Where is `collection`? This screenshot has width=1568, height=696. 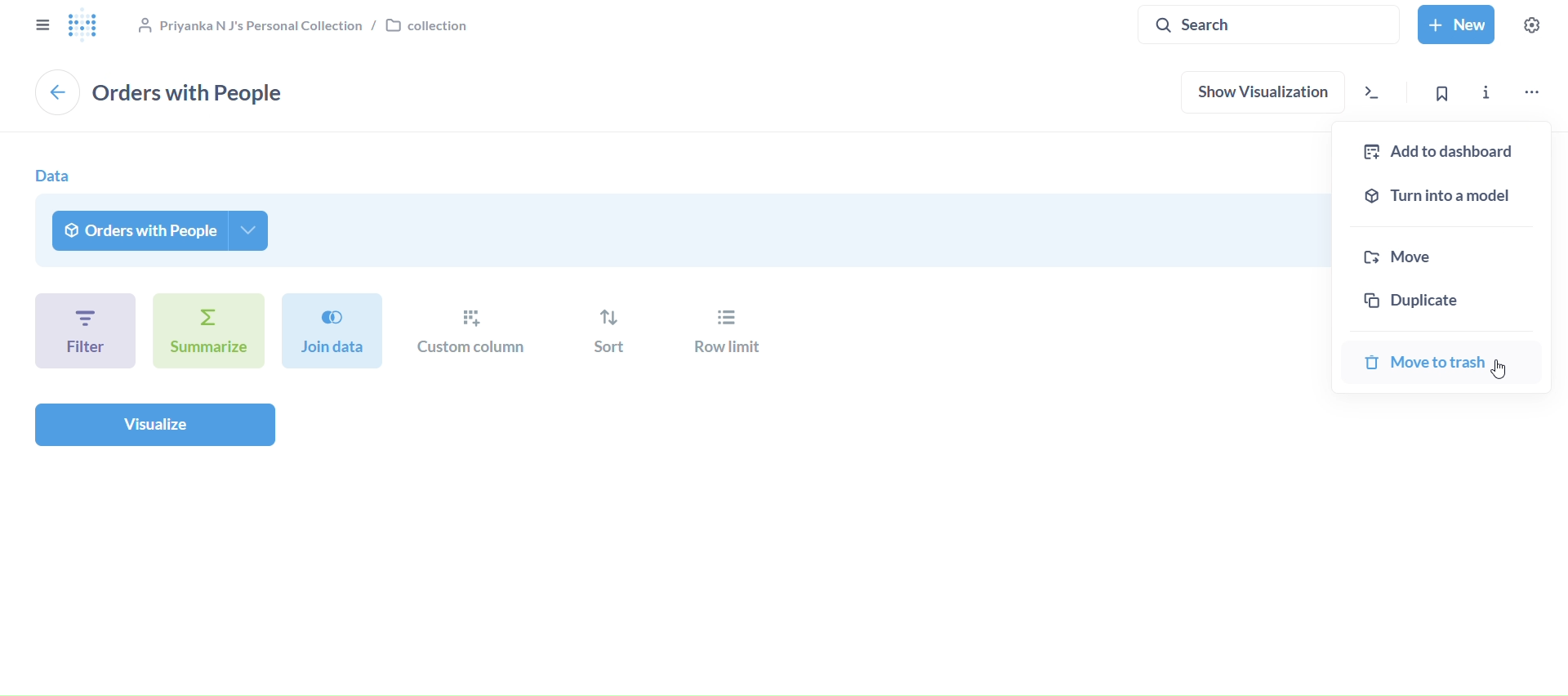 collection is located at coordinates (316, 28).